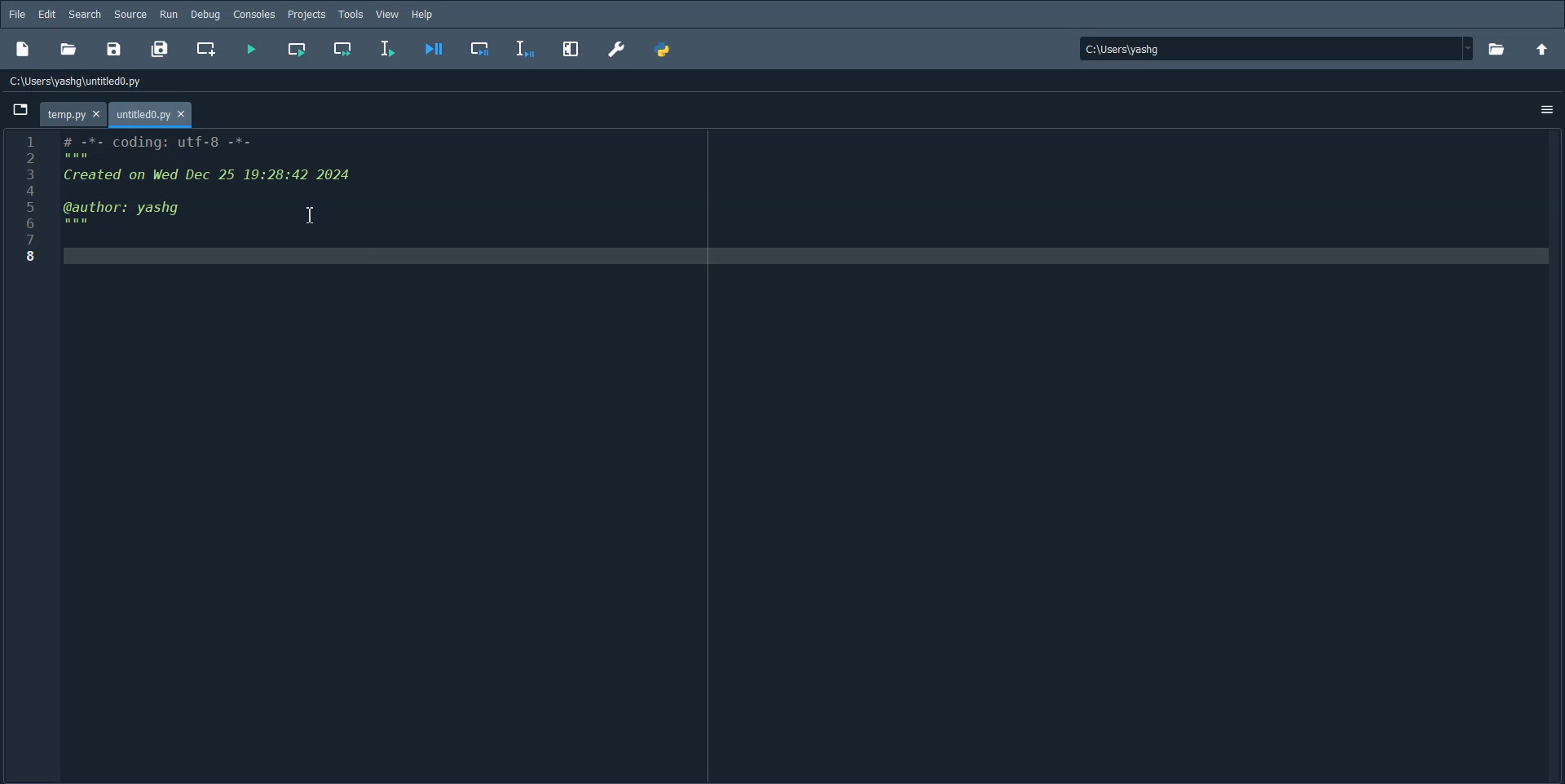  I want to click on Save all File, so click(161, 48).